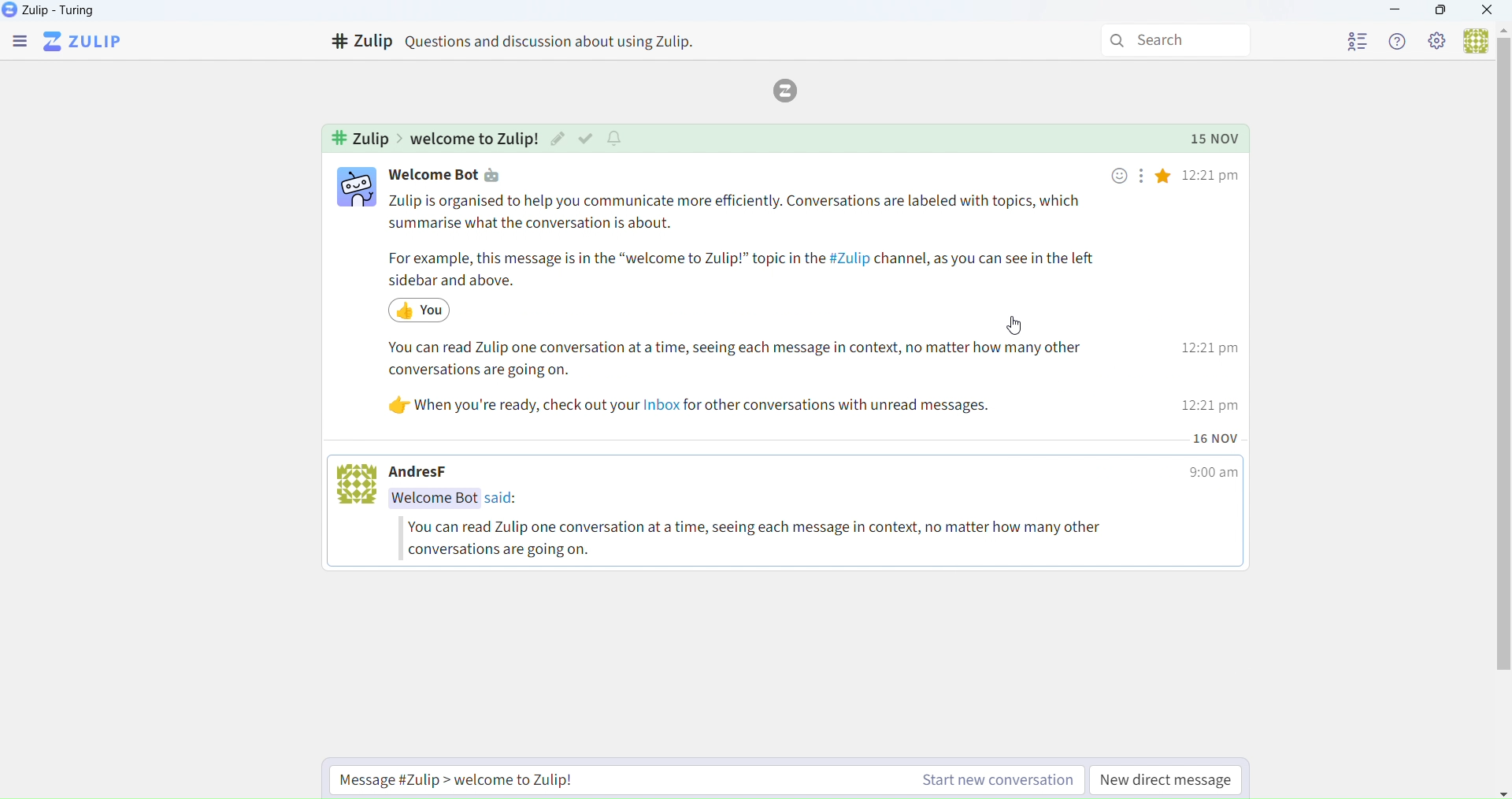  I want to click on Zulip is organised to help you communicate more efficiently. Conversations are labeled with topics, which
summarise what the conversation is about.

For example, this message is in the “welcome to Zulip!” topic in the #Zulip channel, as you can see in the left
sidebar and above., so click(747, 241).